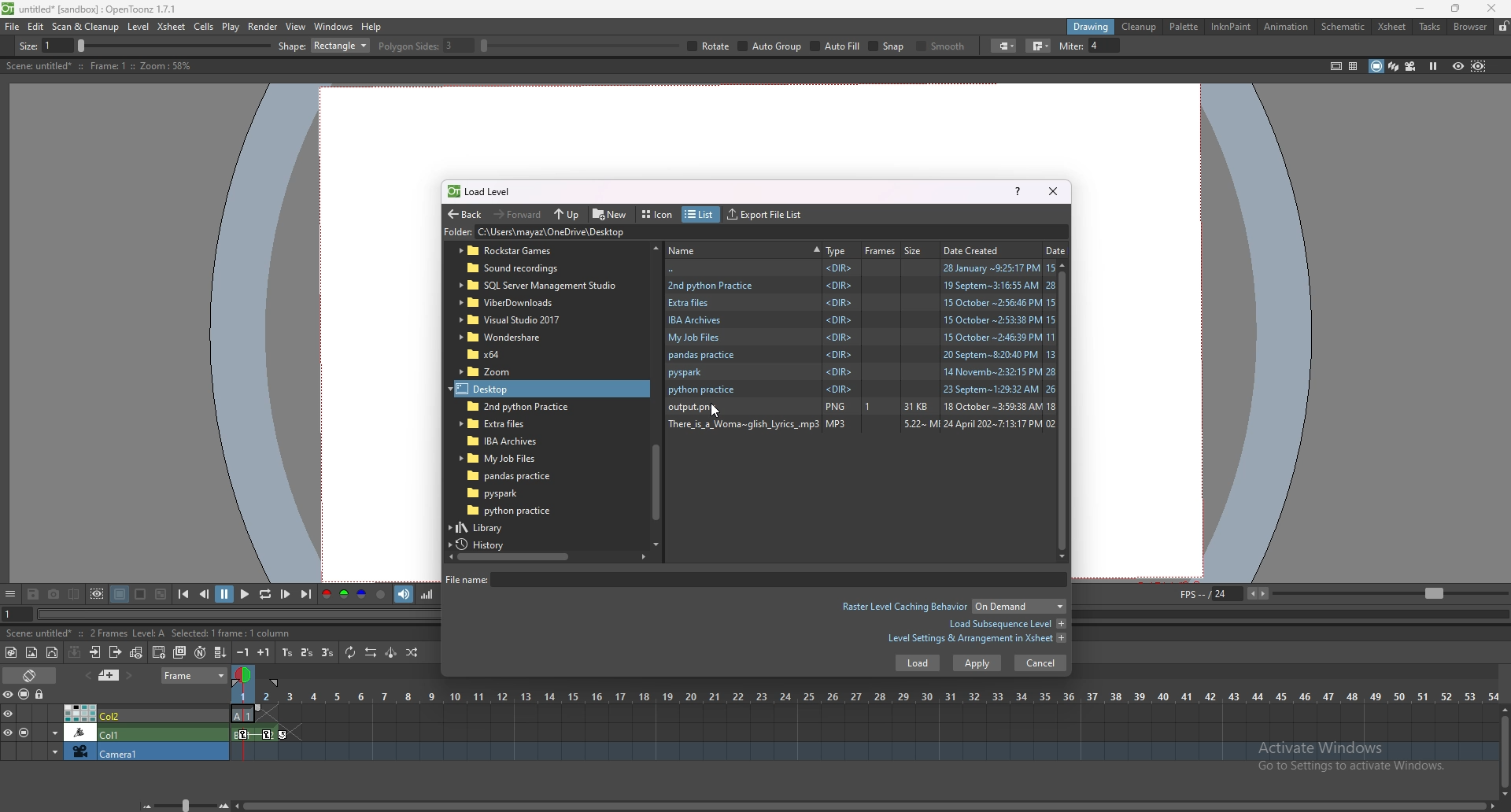 This screenshot has height=812, width=1511. I want to click on thickness, so click(163, 46).